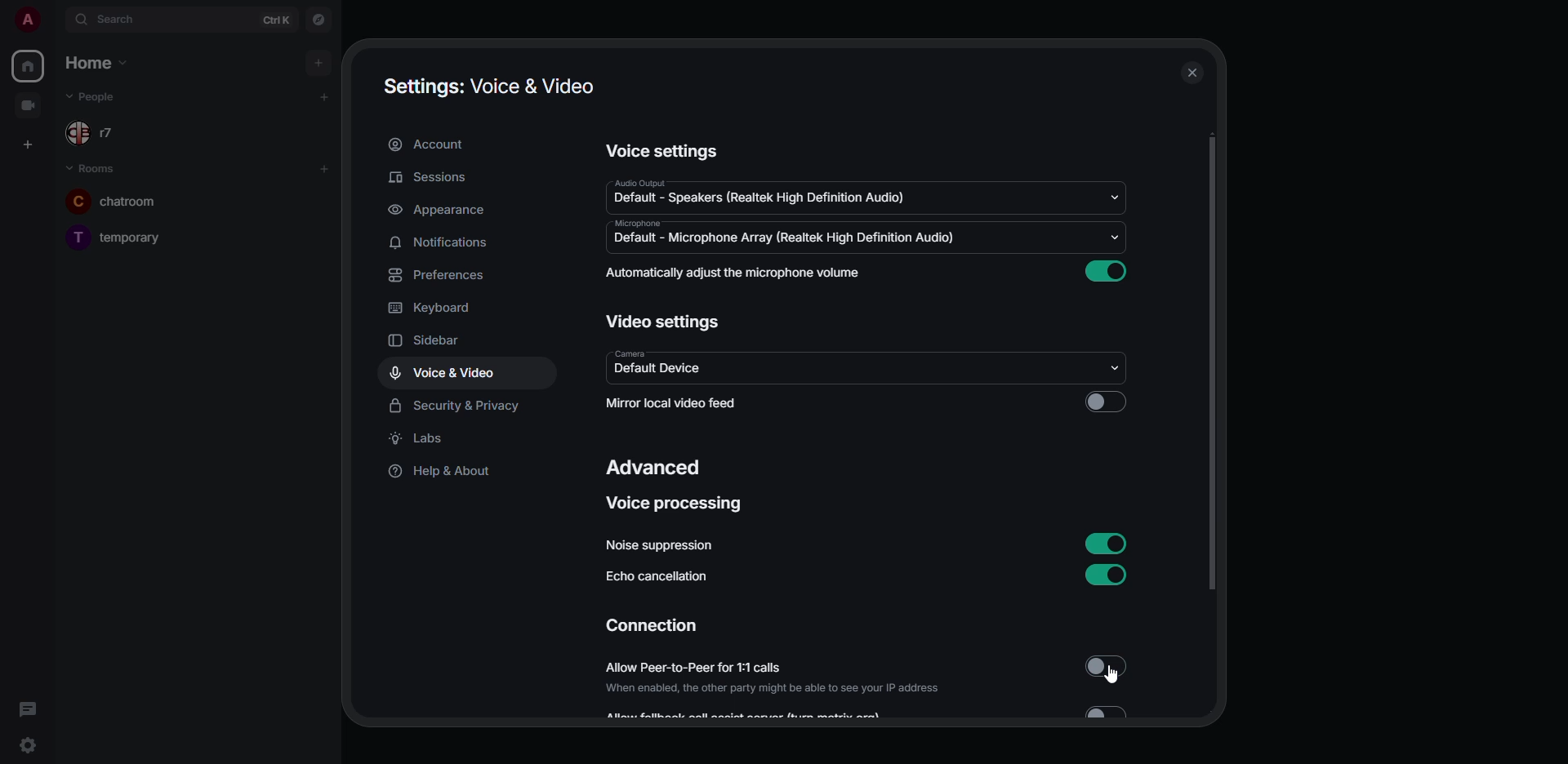 The image size is (1568, 764). Describe the element at coordinates (630, 352) in the screenshot. I see `camera` at that location.